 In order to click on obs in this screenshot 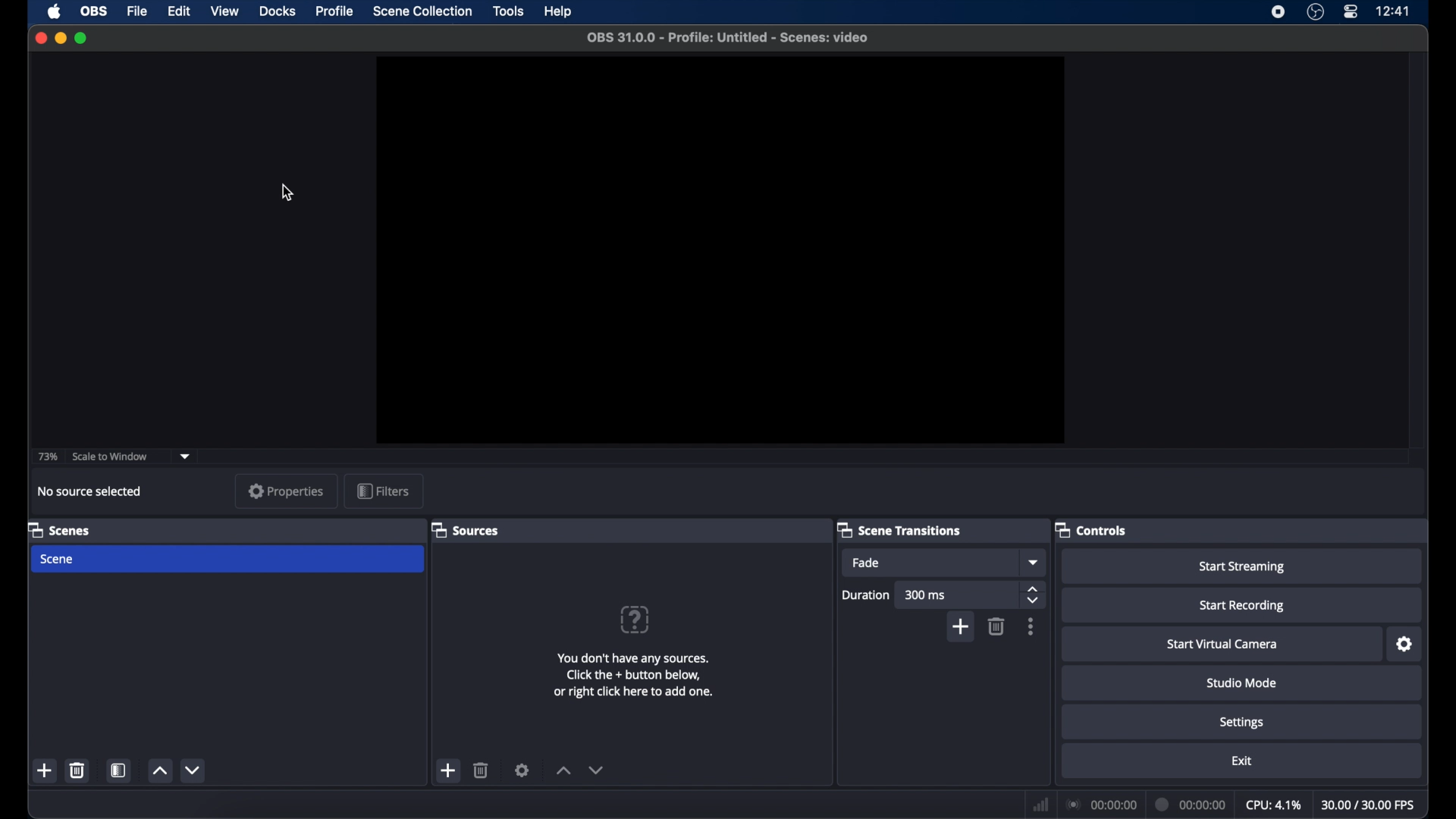, I will do `click(95, 10)`.